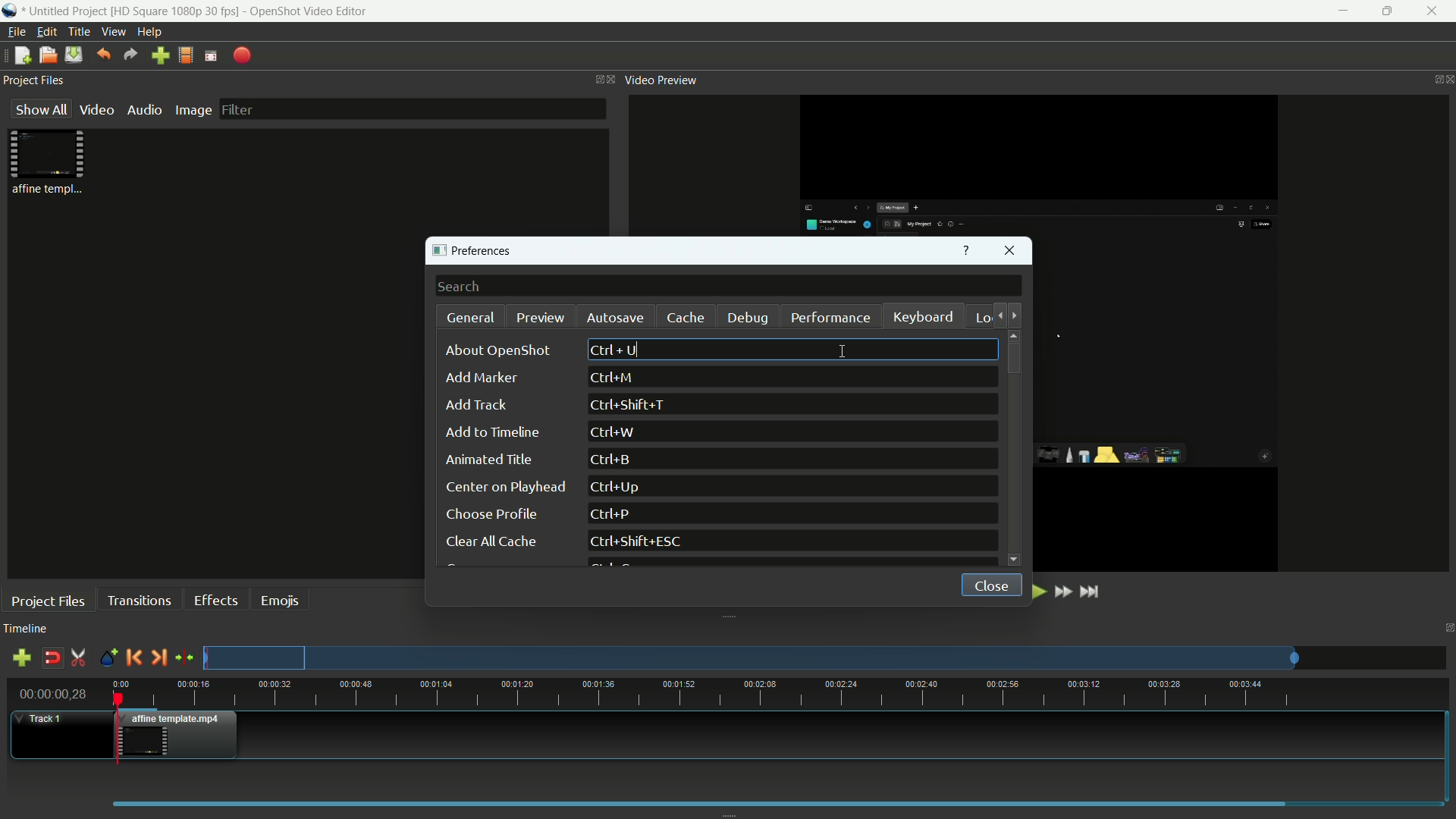 The height and width of the screenshot is (819, 1456). What do you see at coordinates (613, 378) in the screenshot?
I see `keyboard shortcut` at bounding box center [613, 378].